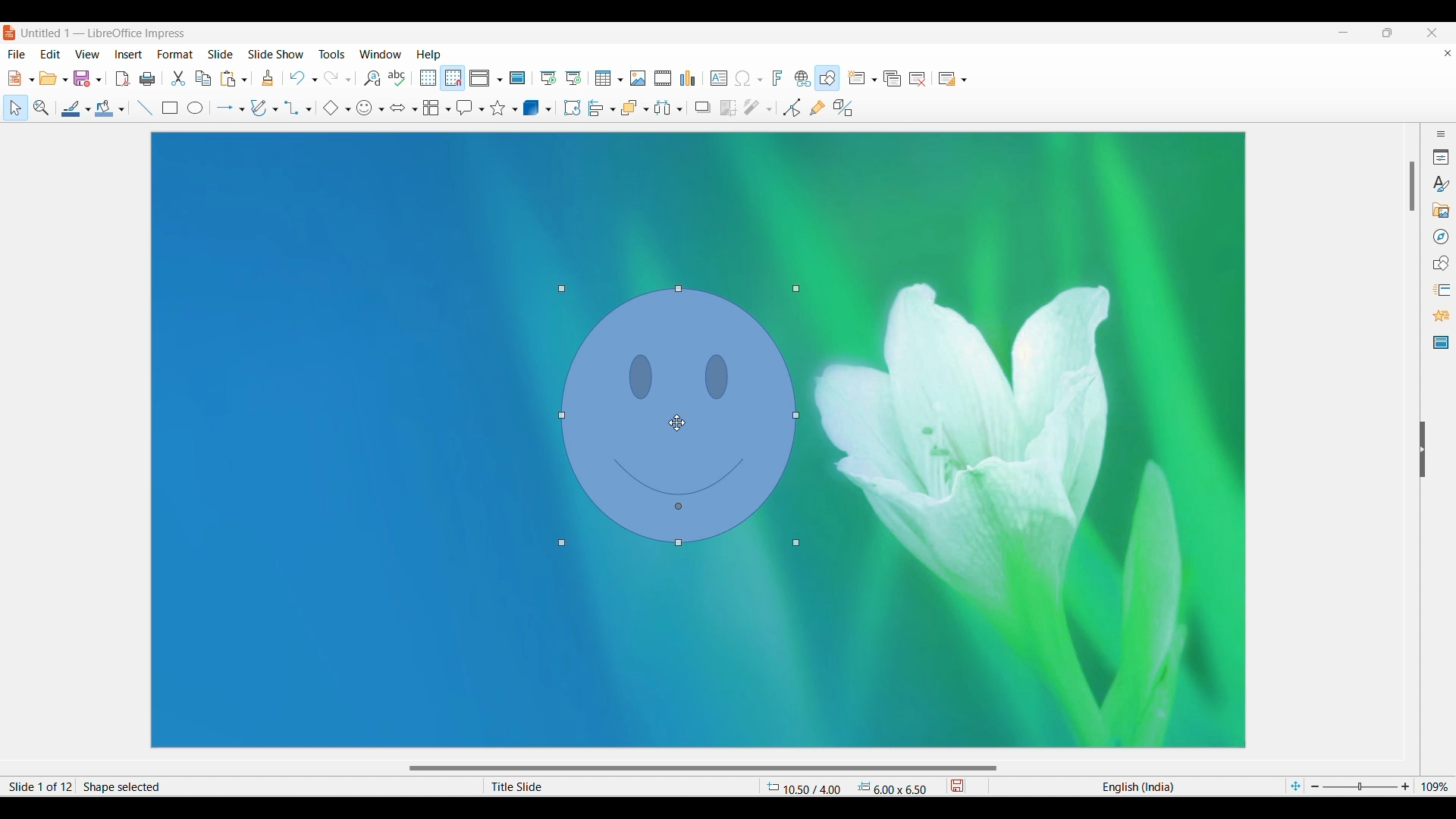  Describe the element at coordinates (573, 78) in the screenshot. I see `Start from current slide` at that location.